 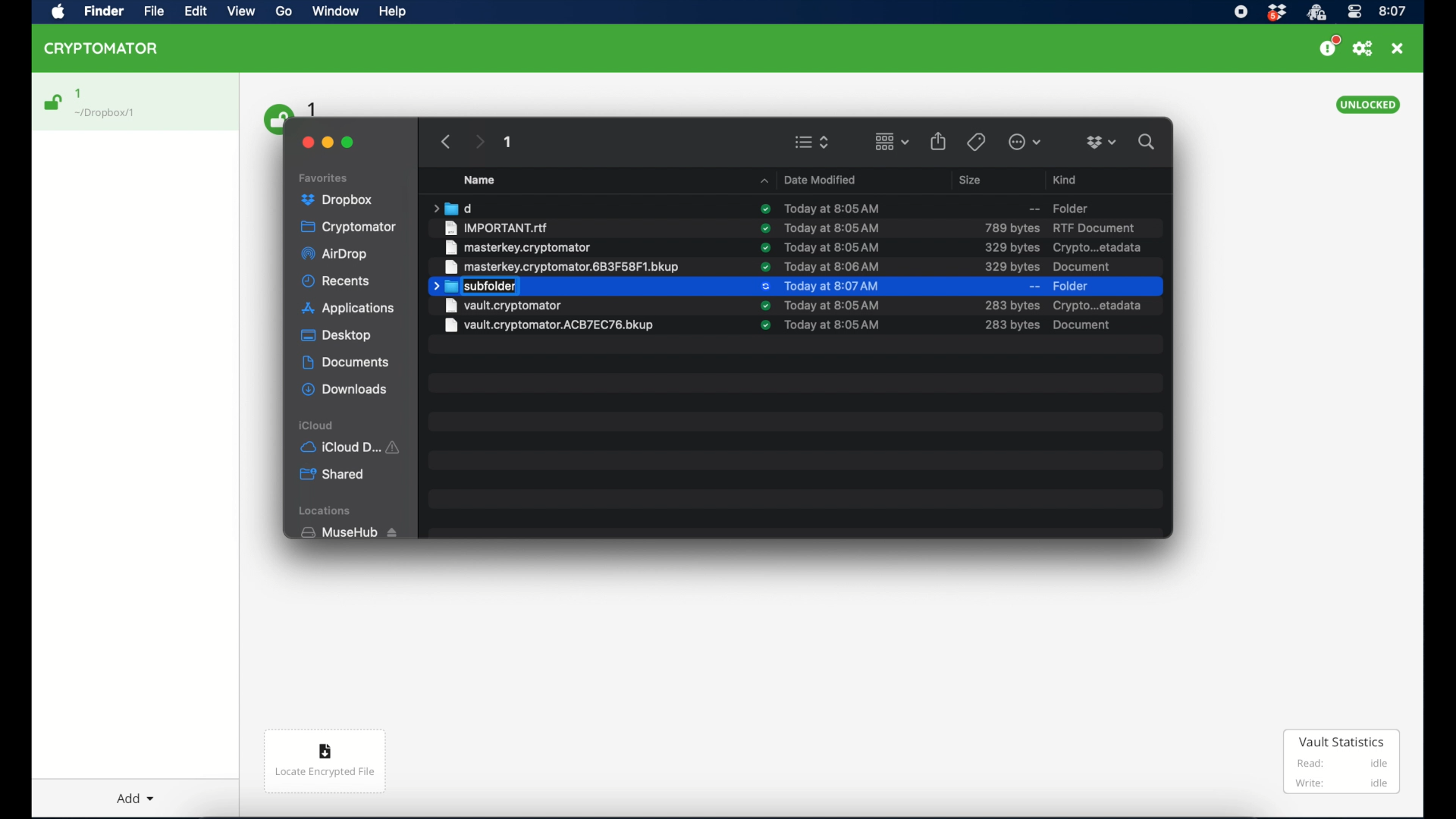 What do you see at coordinates (891, 141) in the screenshot?
I see `change item grouping` at bounding box center [891, 141].